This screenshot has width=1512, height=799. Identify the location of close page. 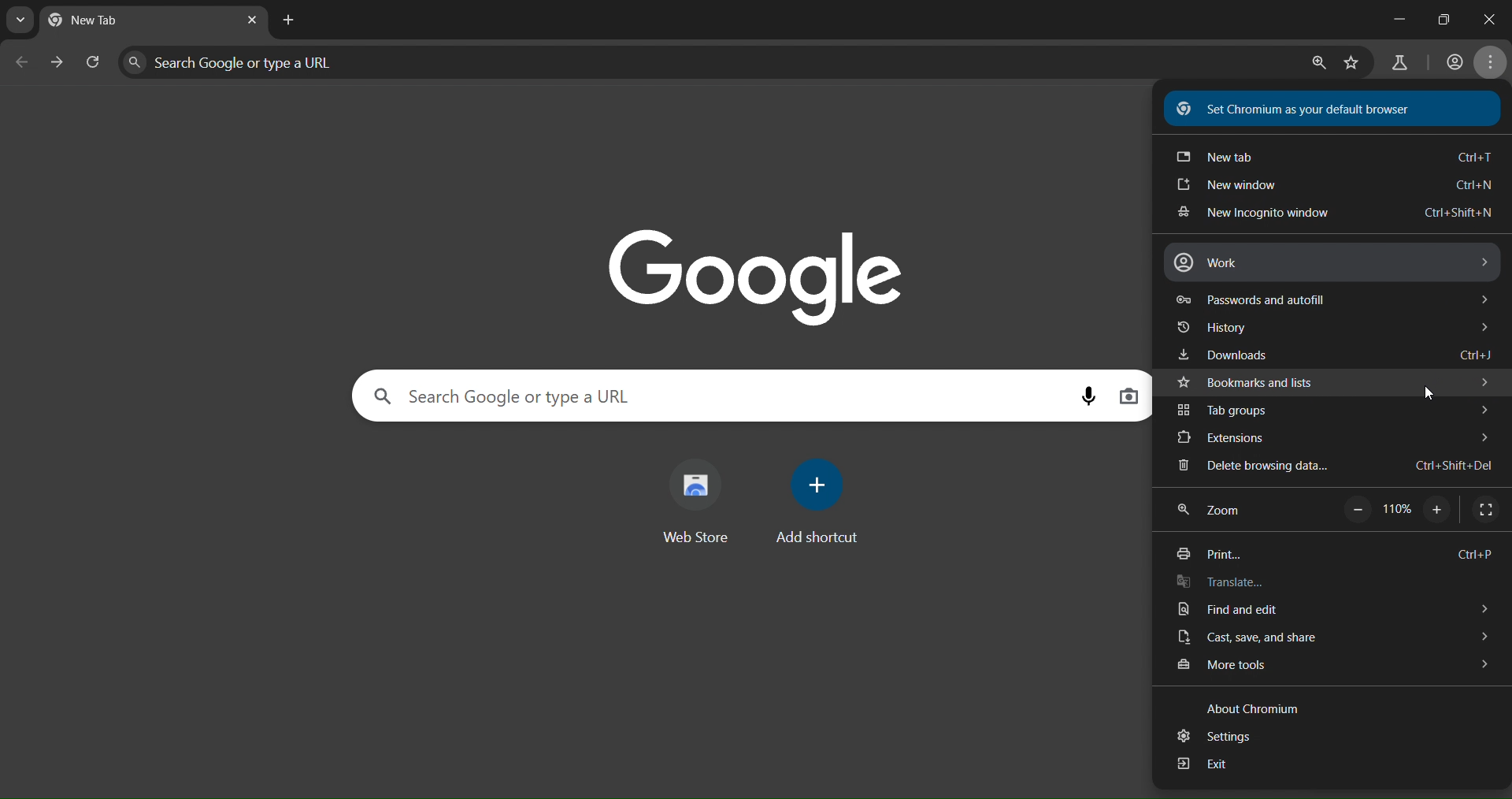
(251, 21).